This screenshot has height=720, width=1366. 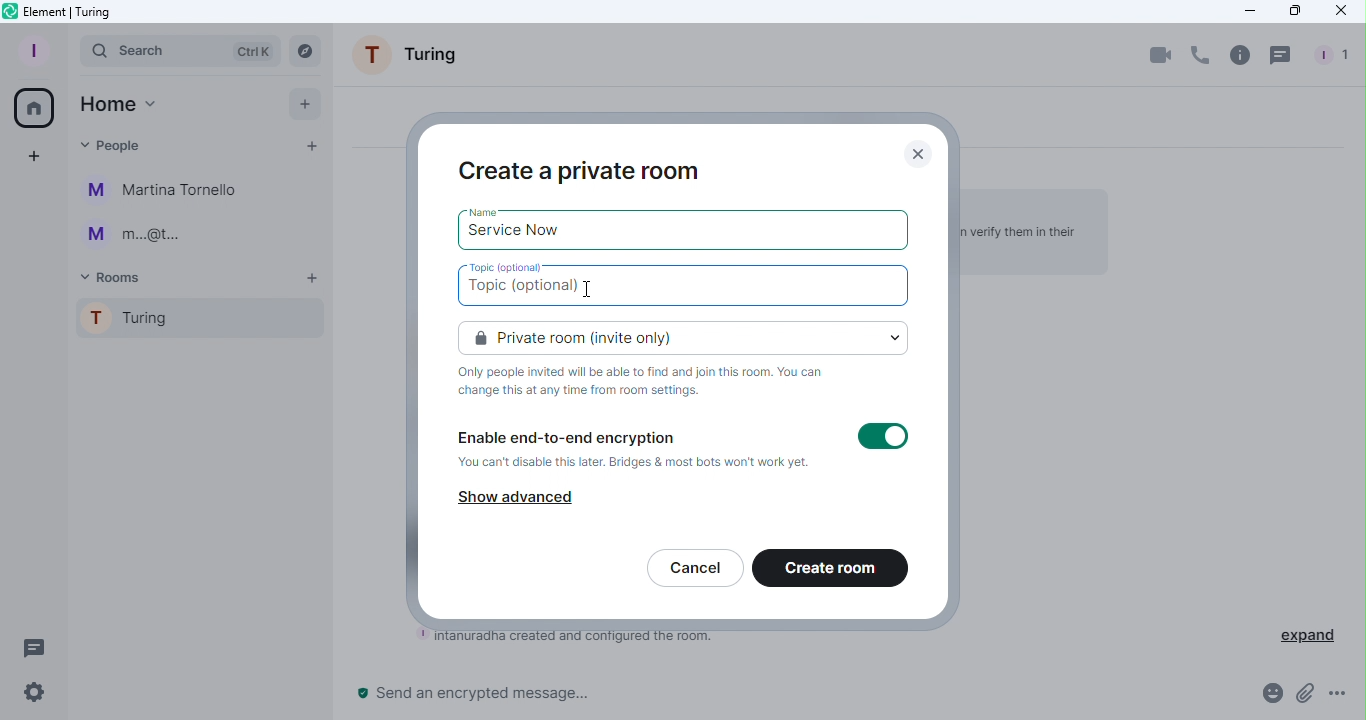 I want to click on Maximize, so click(x=1293, y=11).